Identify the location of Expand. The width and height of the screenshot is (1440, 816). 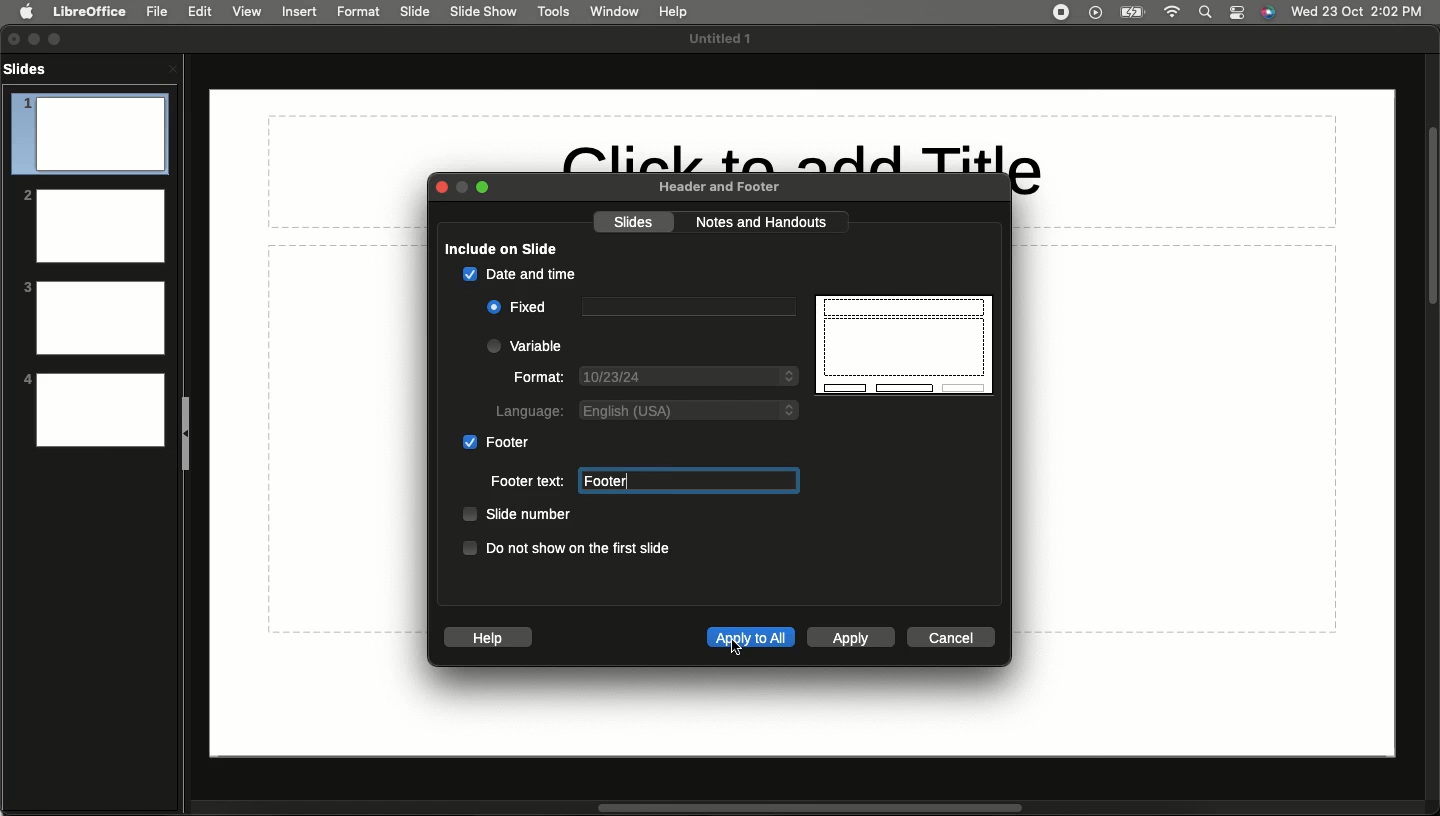
(490, 187).